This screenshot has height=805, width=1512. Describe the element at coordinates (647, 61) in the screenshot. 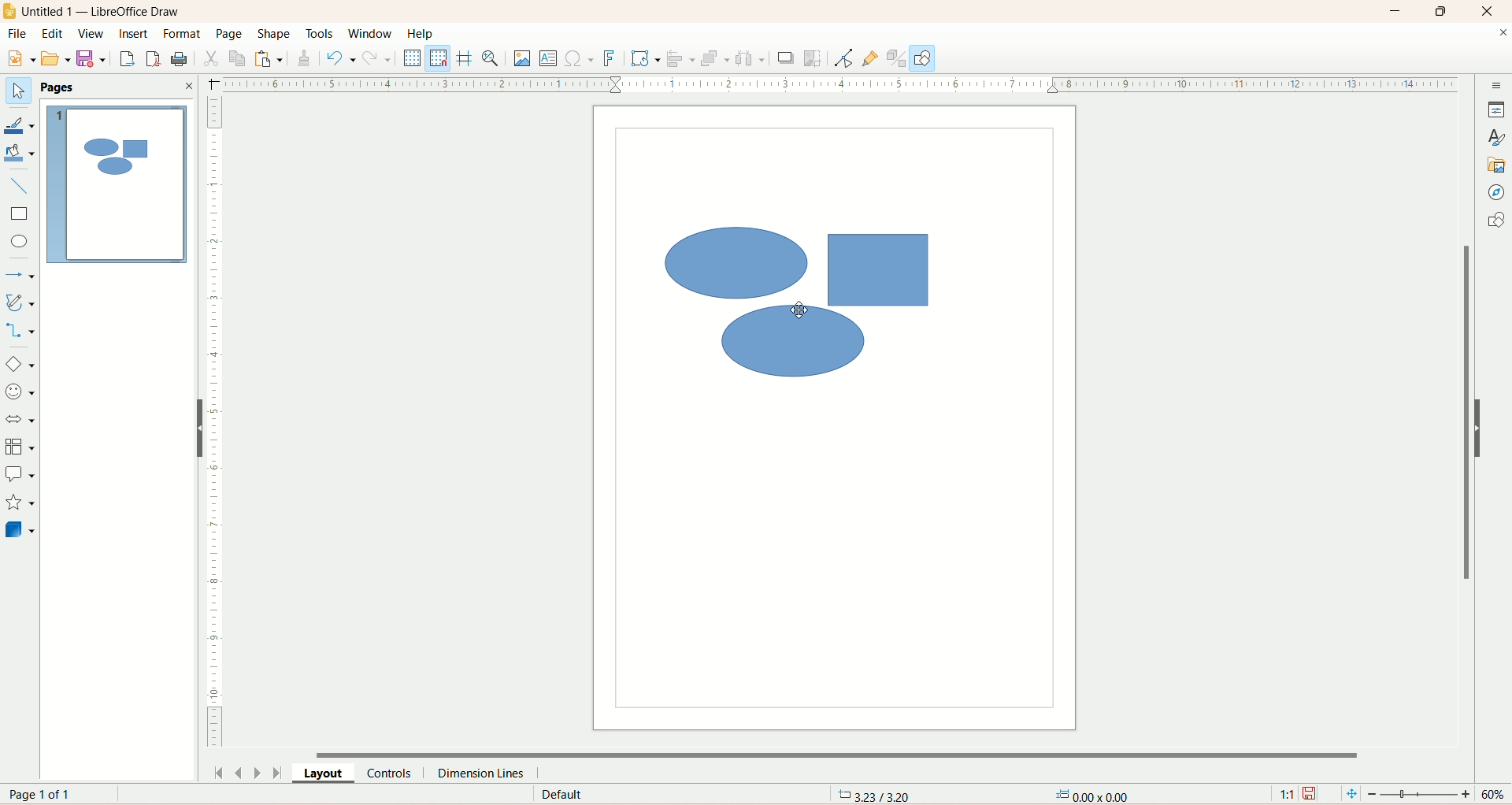

I see `transformations` at that location.